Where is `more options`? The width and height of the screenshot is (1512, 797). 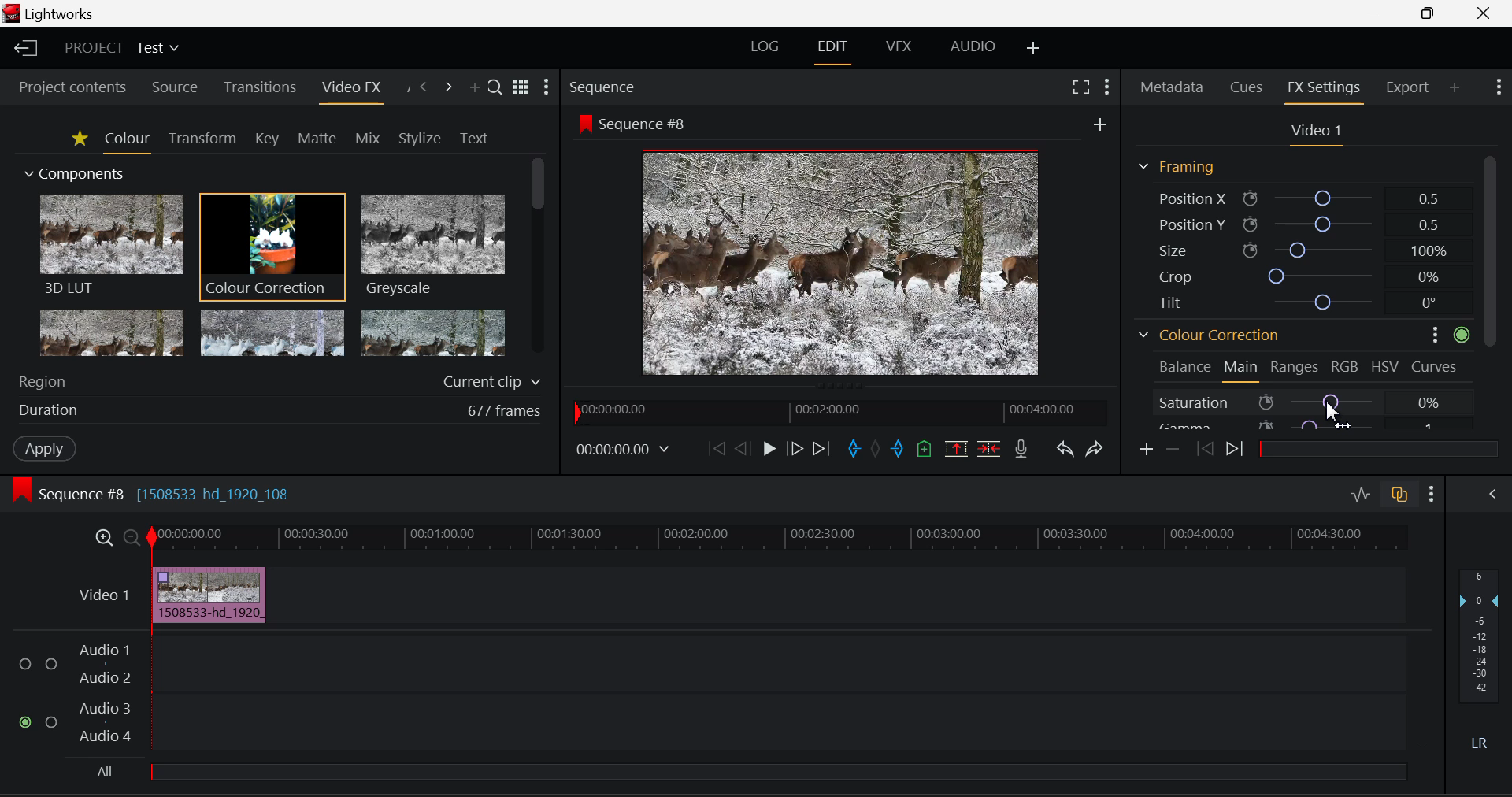 more options is located at coordinates (1429, 334).